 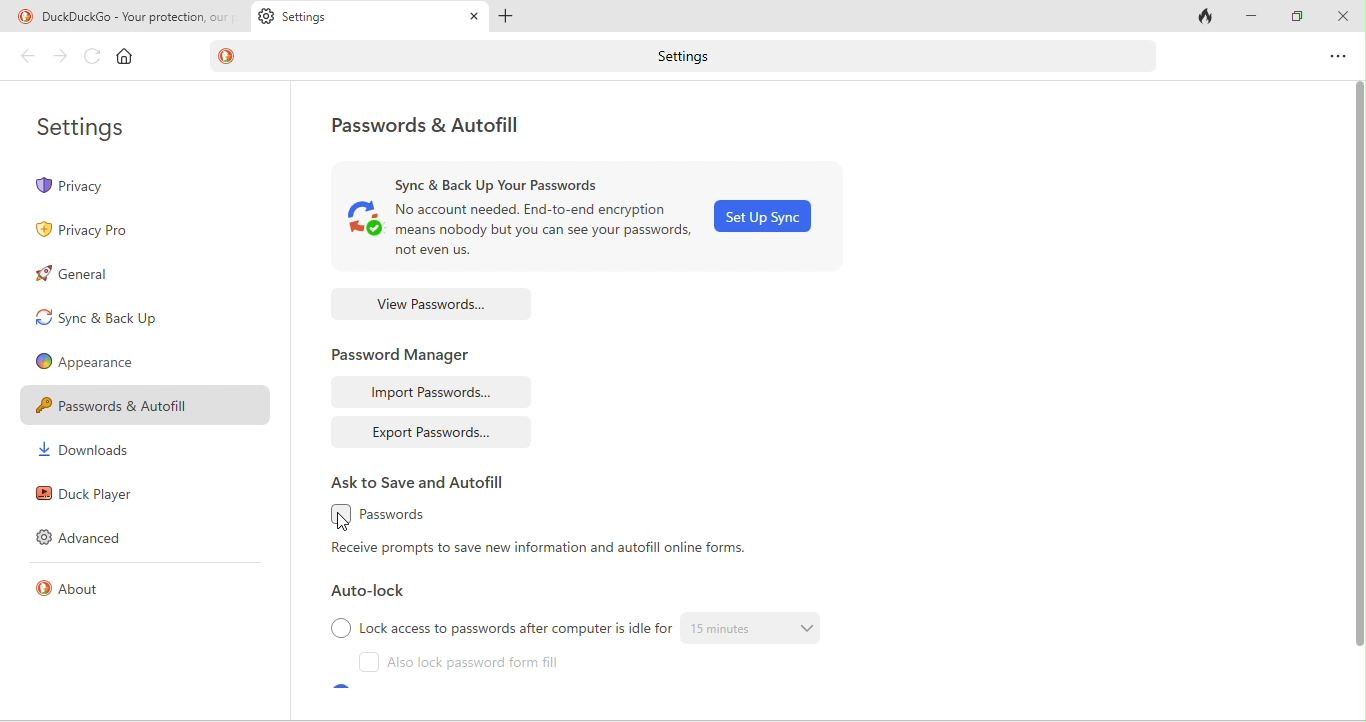 I want to click on settings, so click(x=100, y=125).